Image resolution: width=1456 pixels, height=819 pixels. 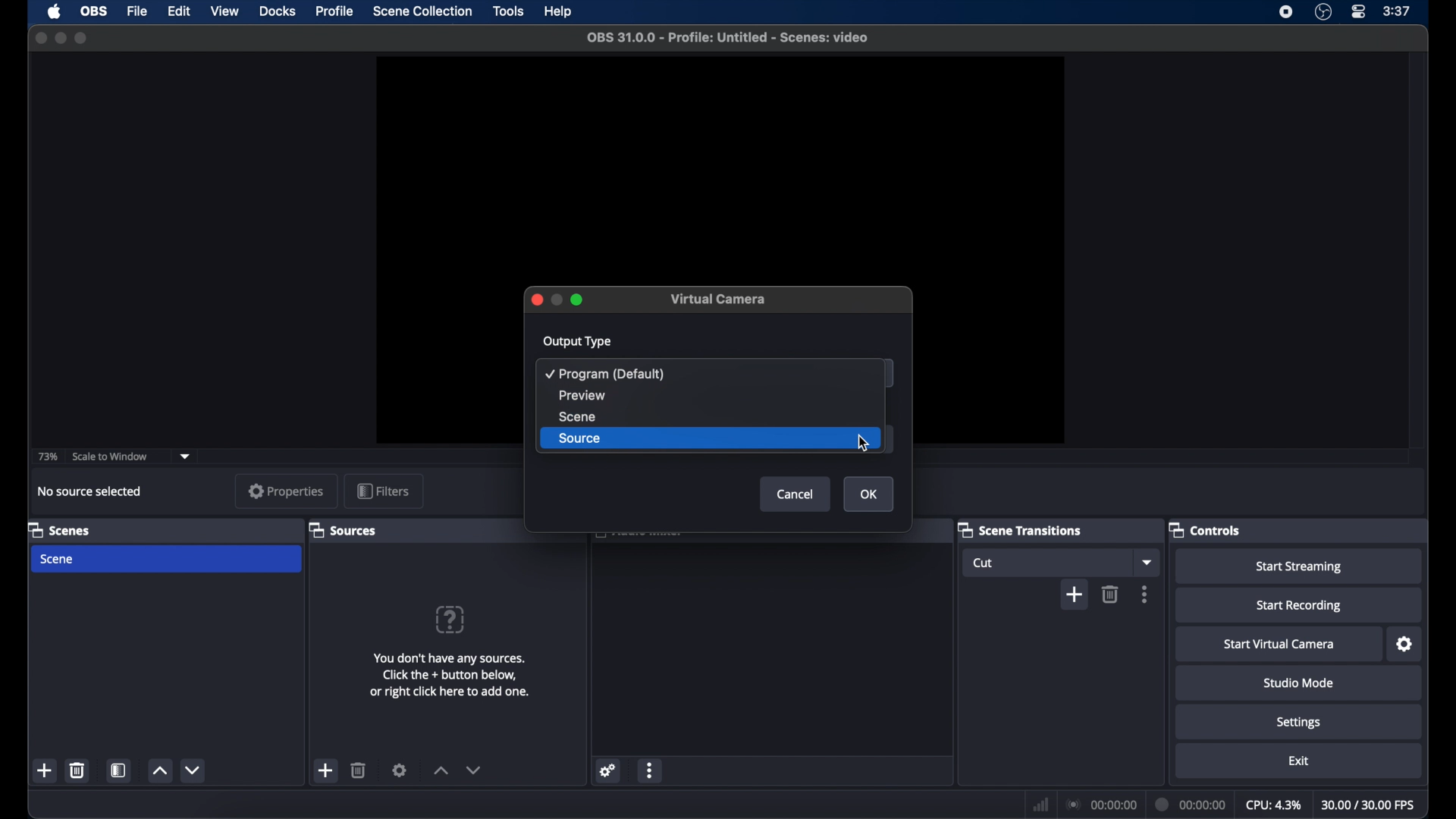 What do you see at coordinates (1145, 595) in the screenshot?
I see `more options` at bounding box center [1145, 595].